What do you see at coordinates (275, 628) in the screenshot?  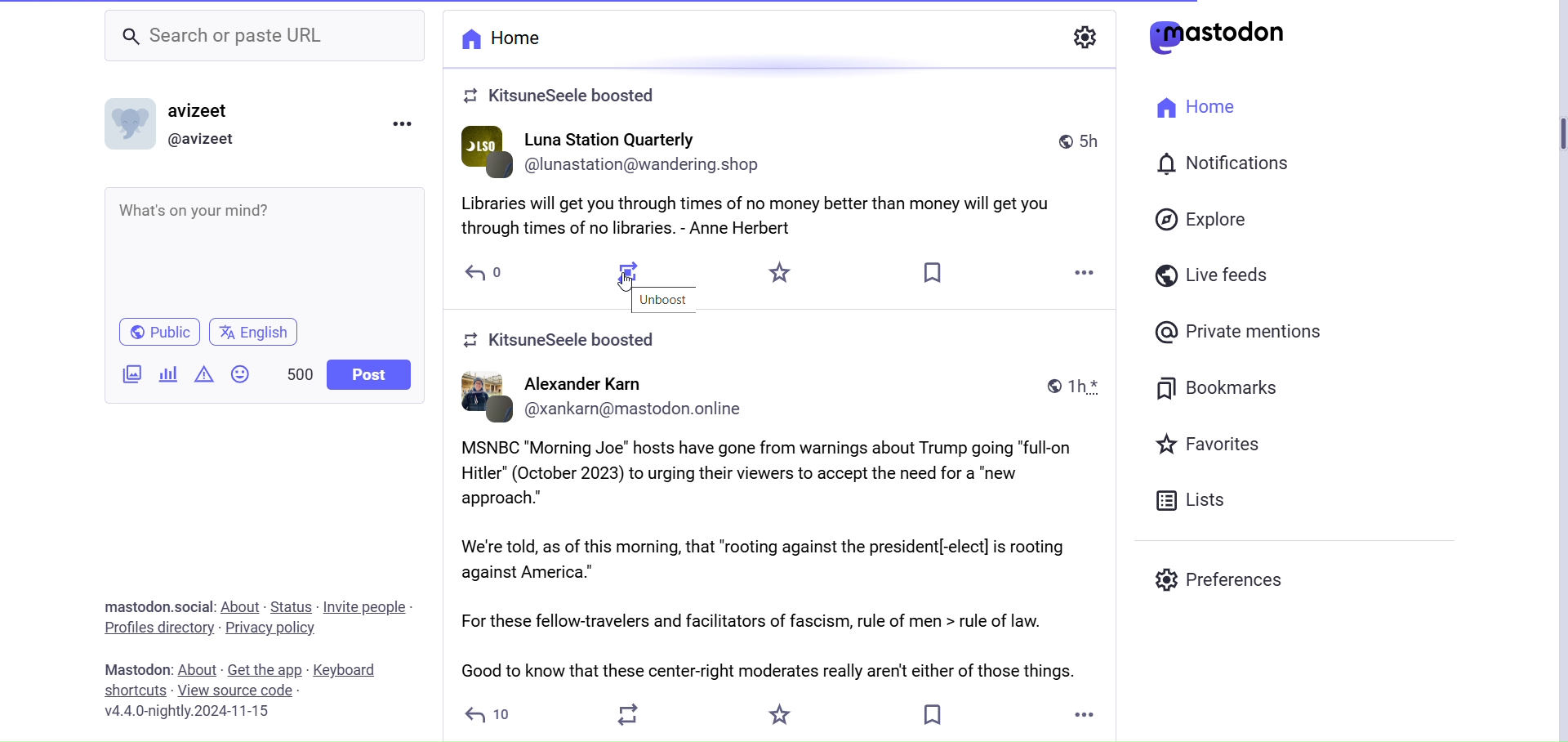 I see `Privacy Policy` at bounding box center [275, 628].